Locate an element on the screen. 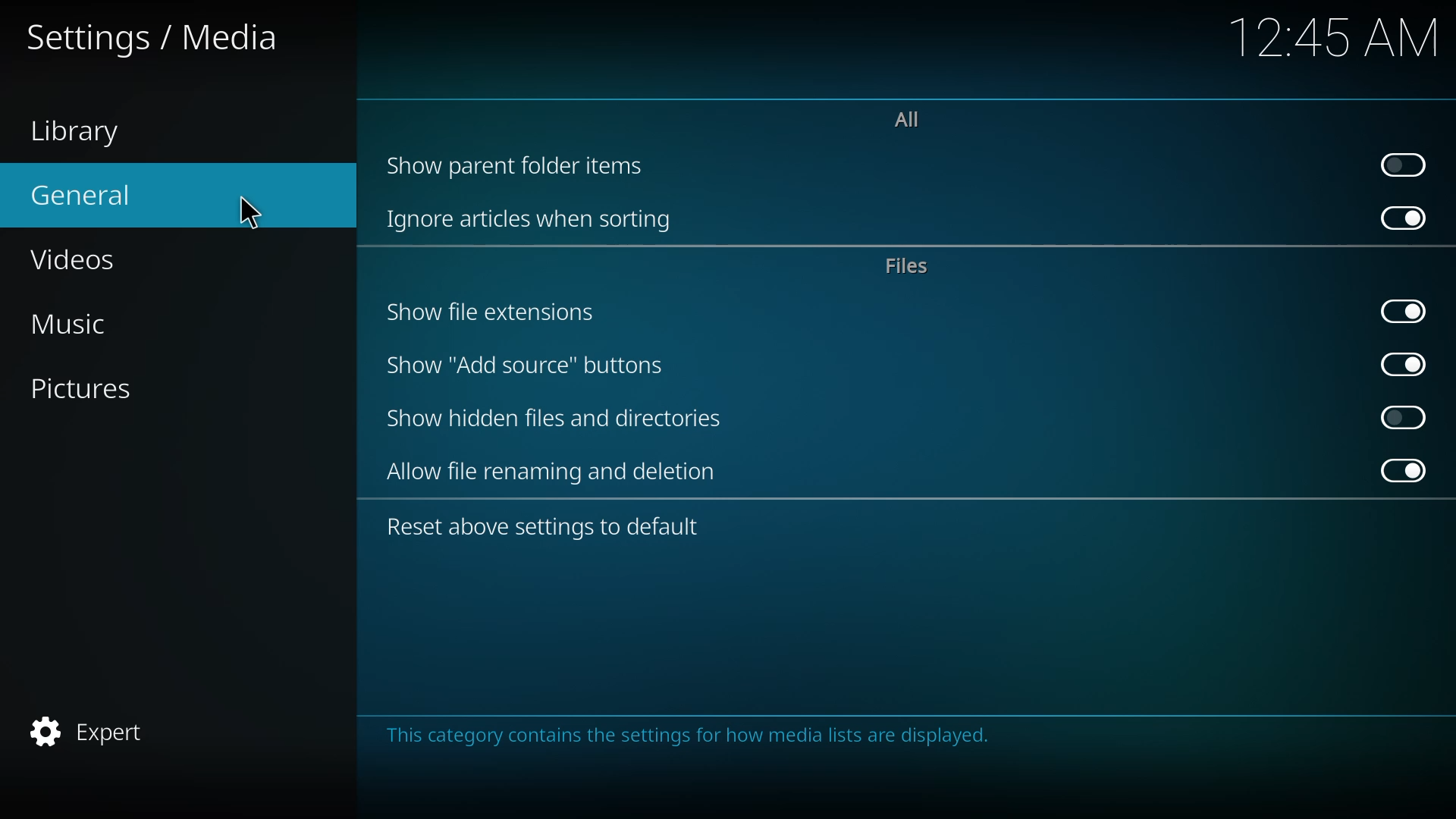 This screenshot has width=1456, height=819. all is located at coordinates (916, 119).